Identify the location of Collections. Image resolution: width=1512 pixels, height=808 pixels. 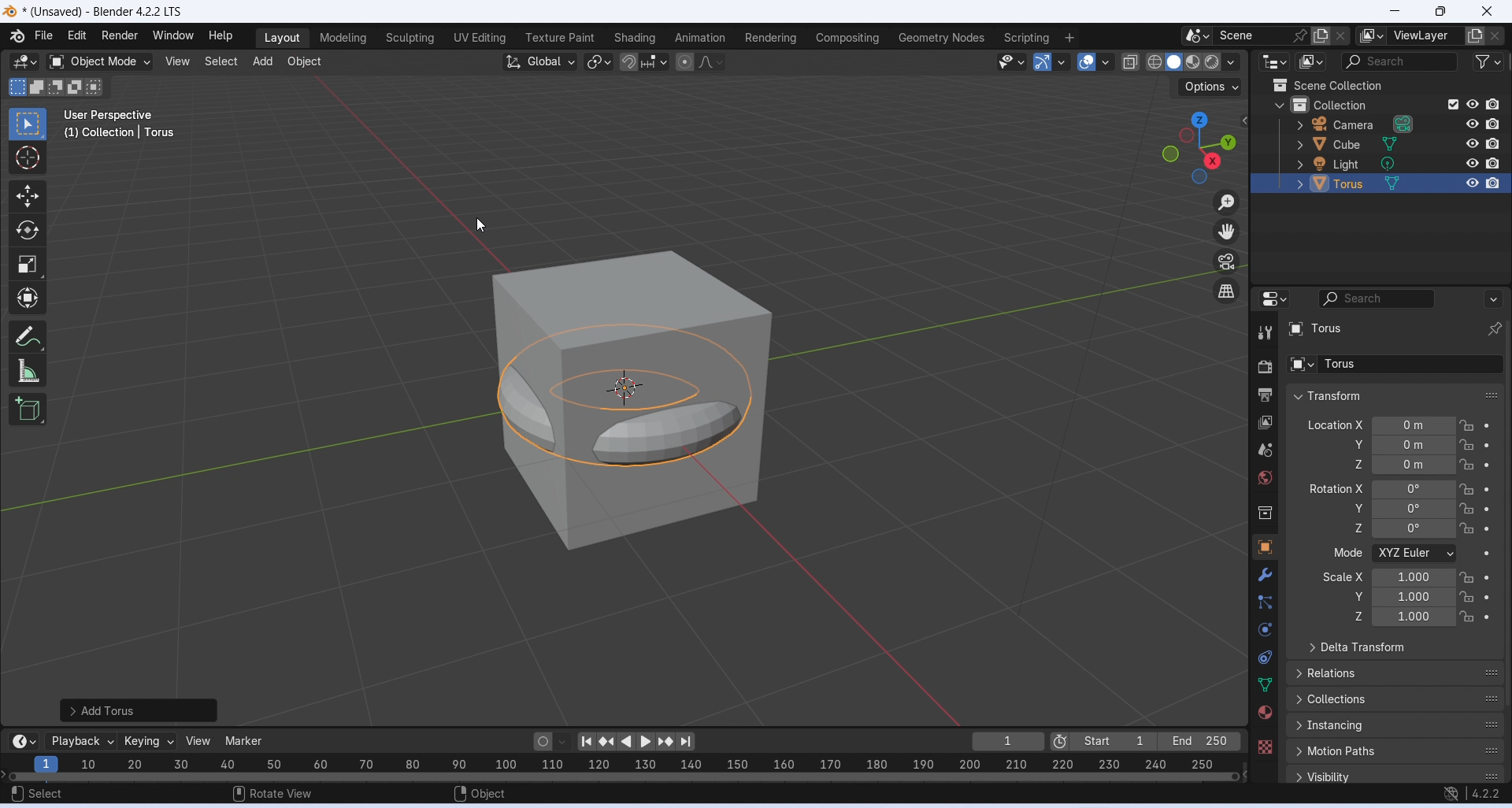
(1396, 699).